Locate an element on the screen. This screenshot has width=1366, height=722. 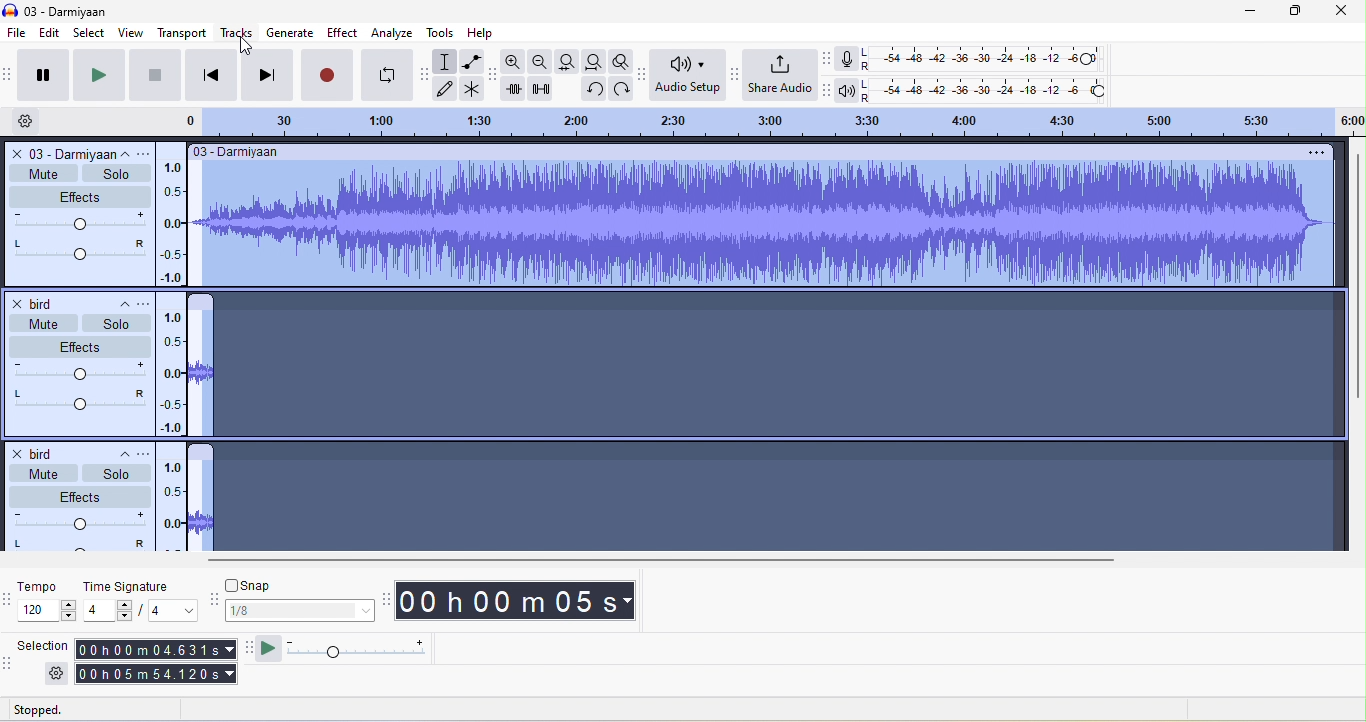
mute is located at coordinates (43, 172).